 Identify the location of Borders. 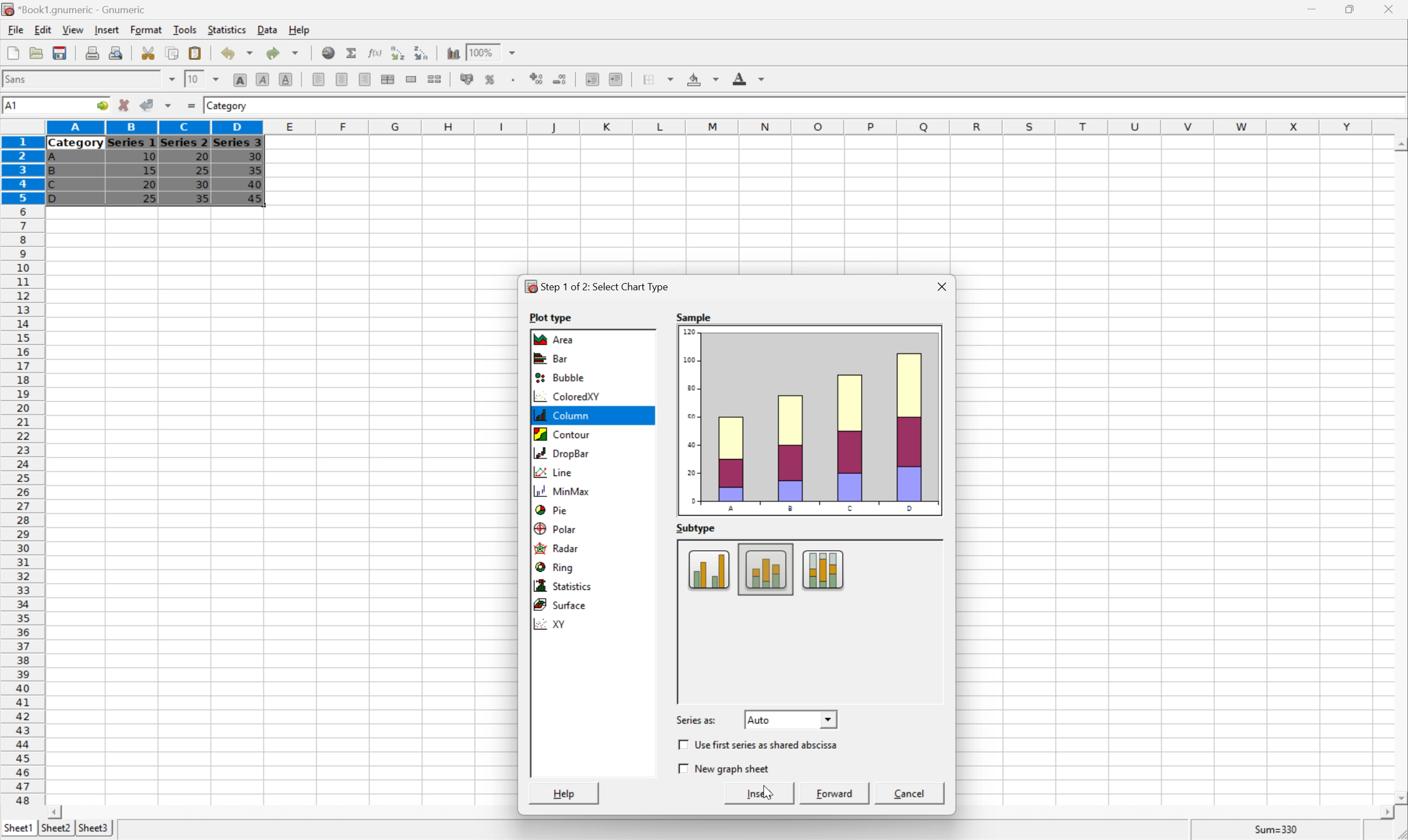
(661, 78).